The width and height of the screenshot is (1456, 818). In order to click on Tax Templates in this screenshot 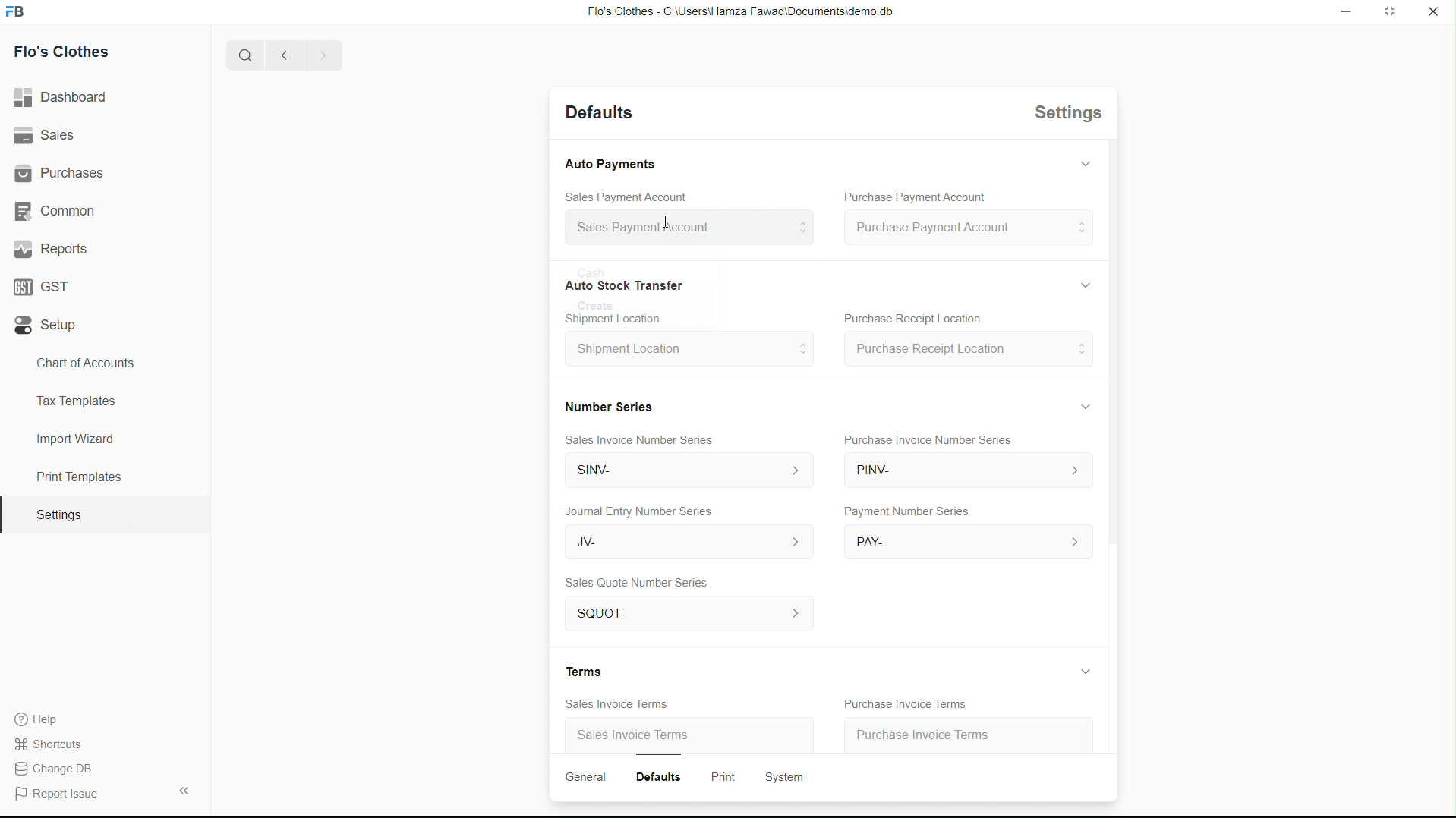, I will do `click(73, 398)`.